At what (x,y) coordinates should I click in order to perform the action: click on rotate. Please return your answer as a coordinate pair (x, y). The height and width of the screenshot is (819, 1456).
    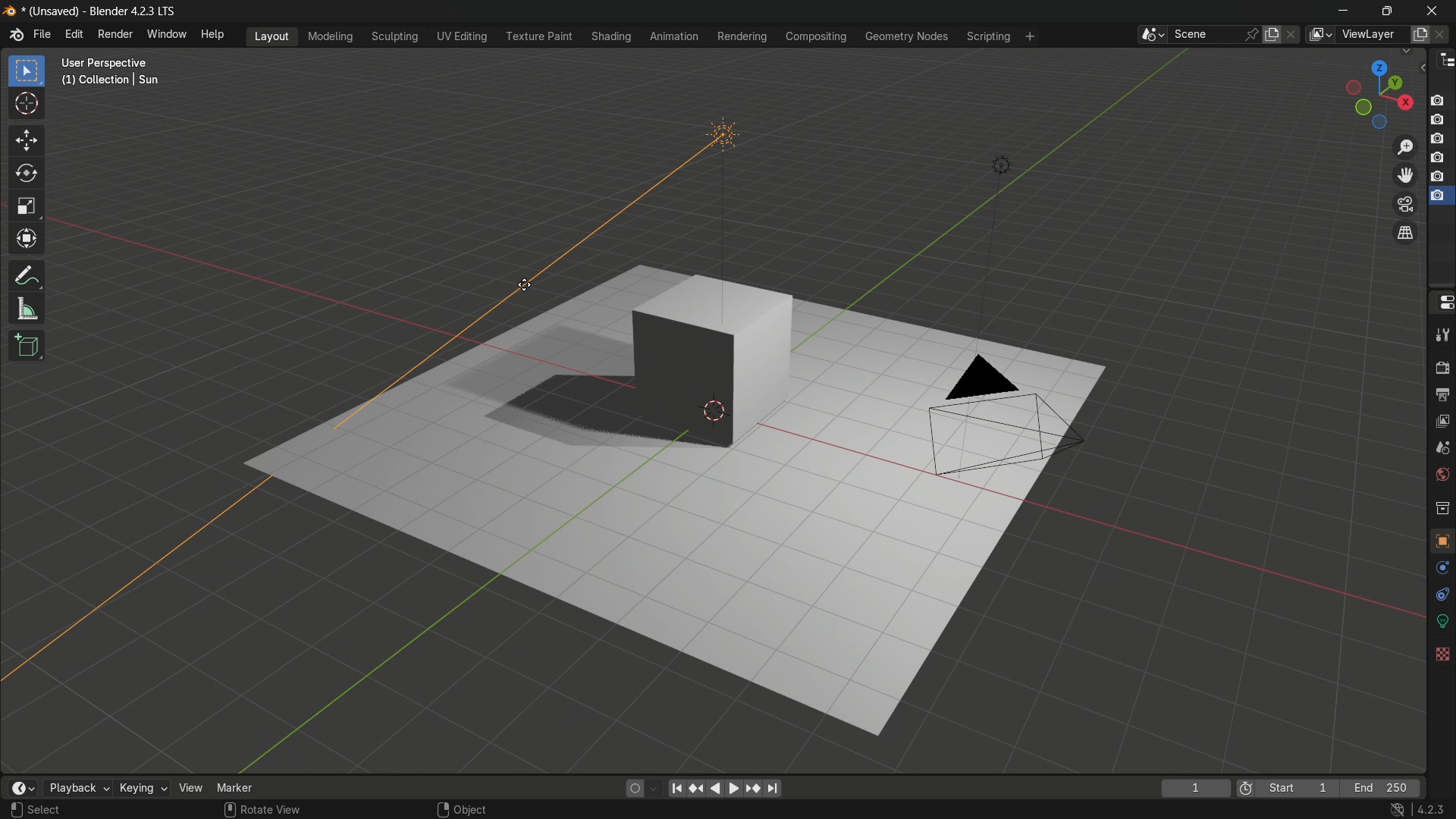
    Looking at the image, I should click on (28, 174).